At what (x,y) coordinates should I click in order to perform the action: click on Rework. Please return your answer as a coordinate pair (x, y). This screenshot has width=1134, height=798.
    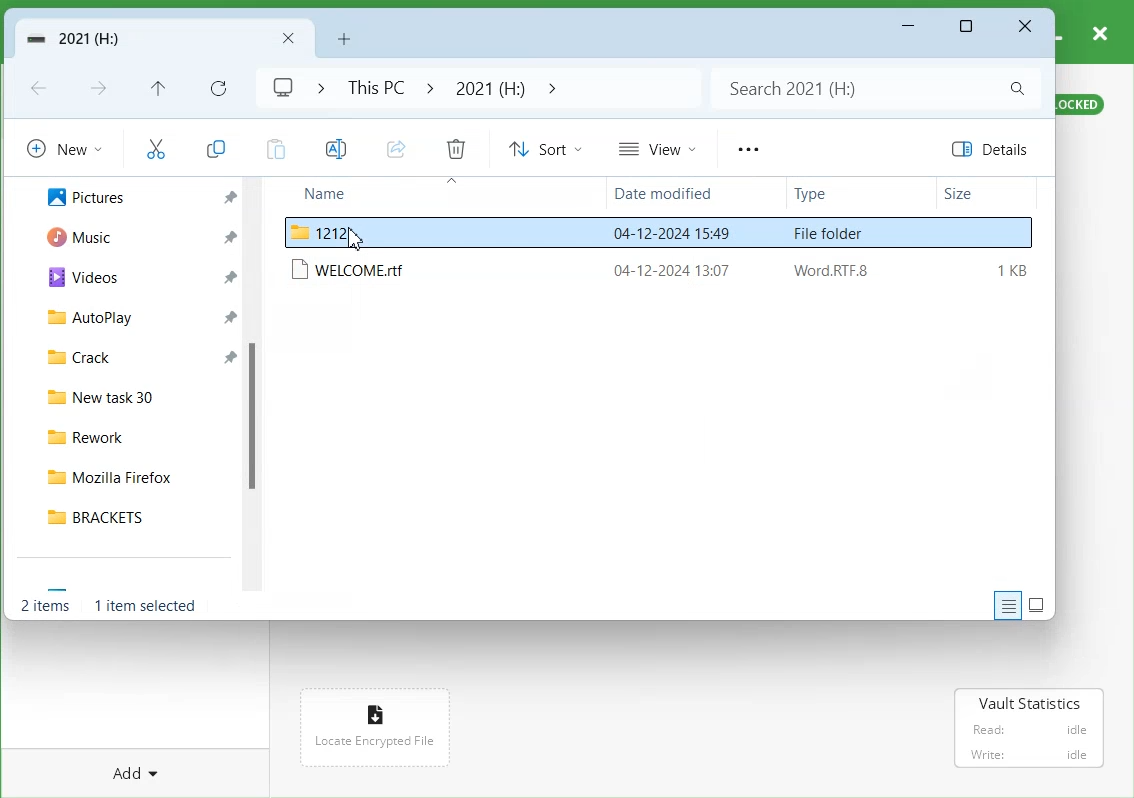
    Looking at the image, I should click on (136, 437).